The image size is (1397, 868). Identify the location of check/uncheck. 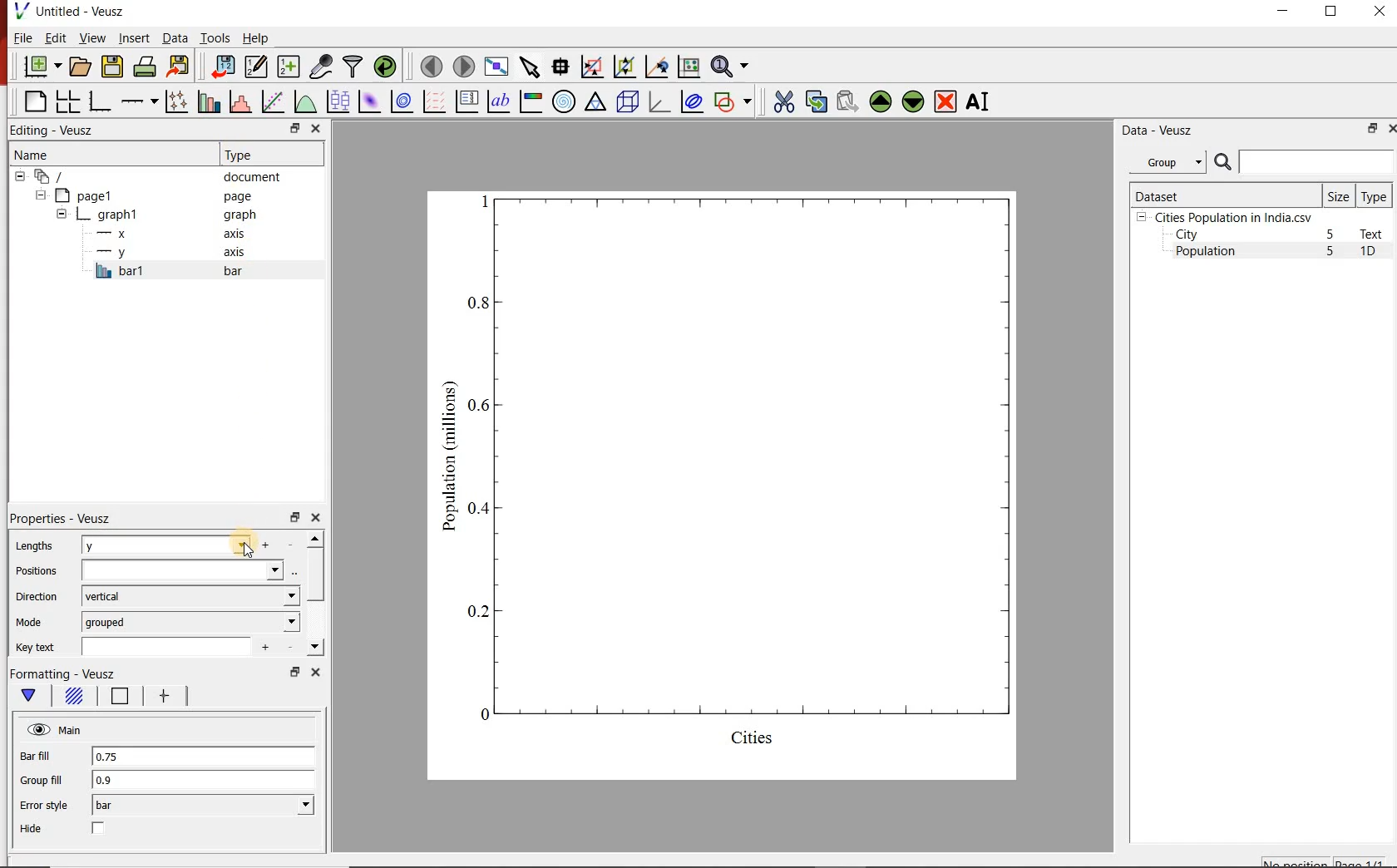
(99, 830).